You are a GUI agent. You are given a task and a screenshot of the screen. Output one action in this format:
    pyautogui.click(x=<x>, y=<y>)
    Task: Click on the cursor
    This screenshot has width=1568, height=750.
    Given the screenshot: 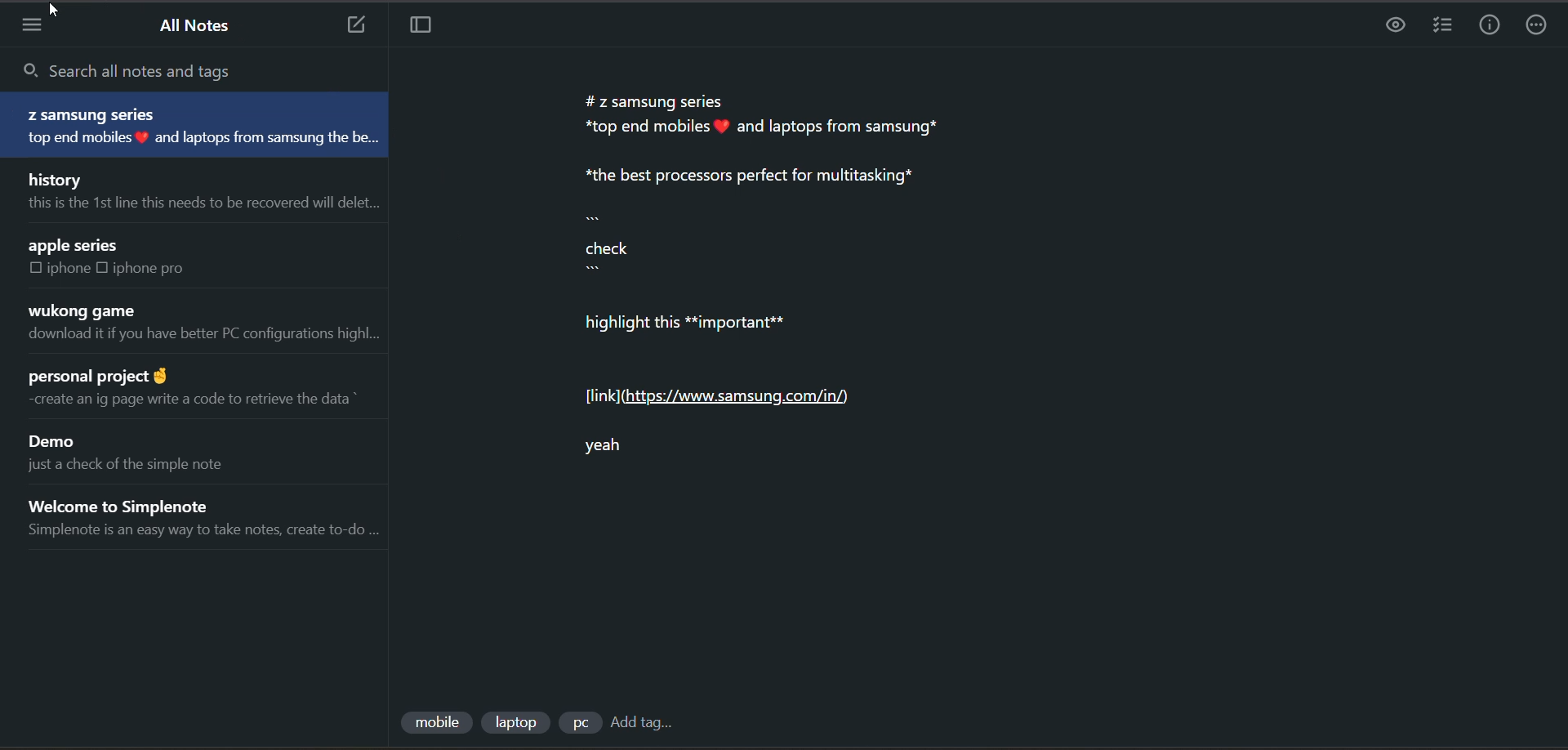 What is the action you would take?
    pyautogui.click(x=60, y=11)
    